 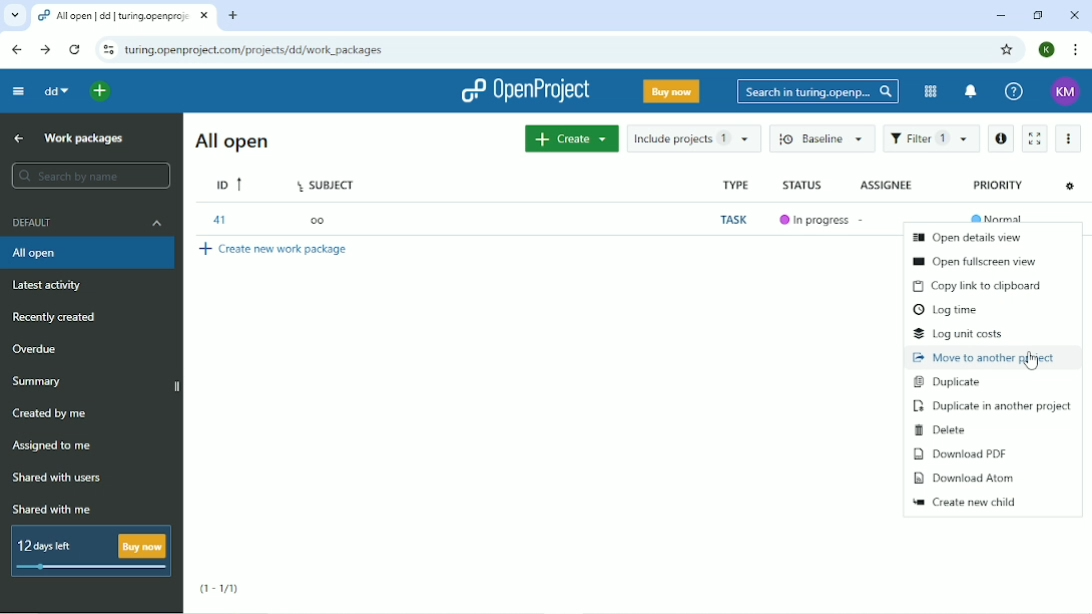 What do you see at coordinates (528, 91) in the screenshot?
I see `OpenProject` at bounding box center [528, 91].